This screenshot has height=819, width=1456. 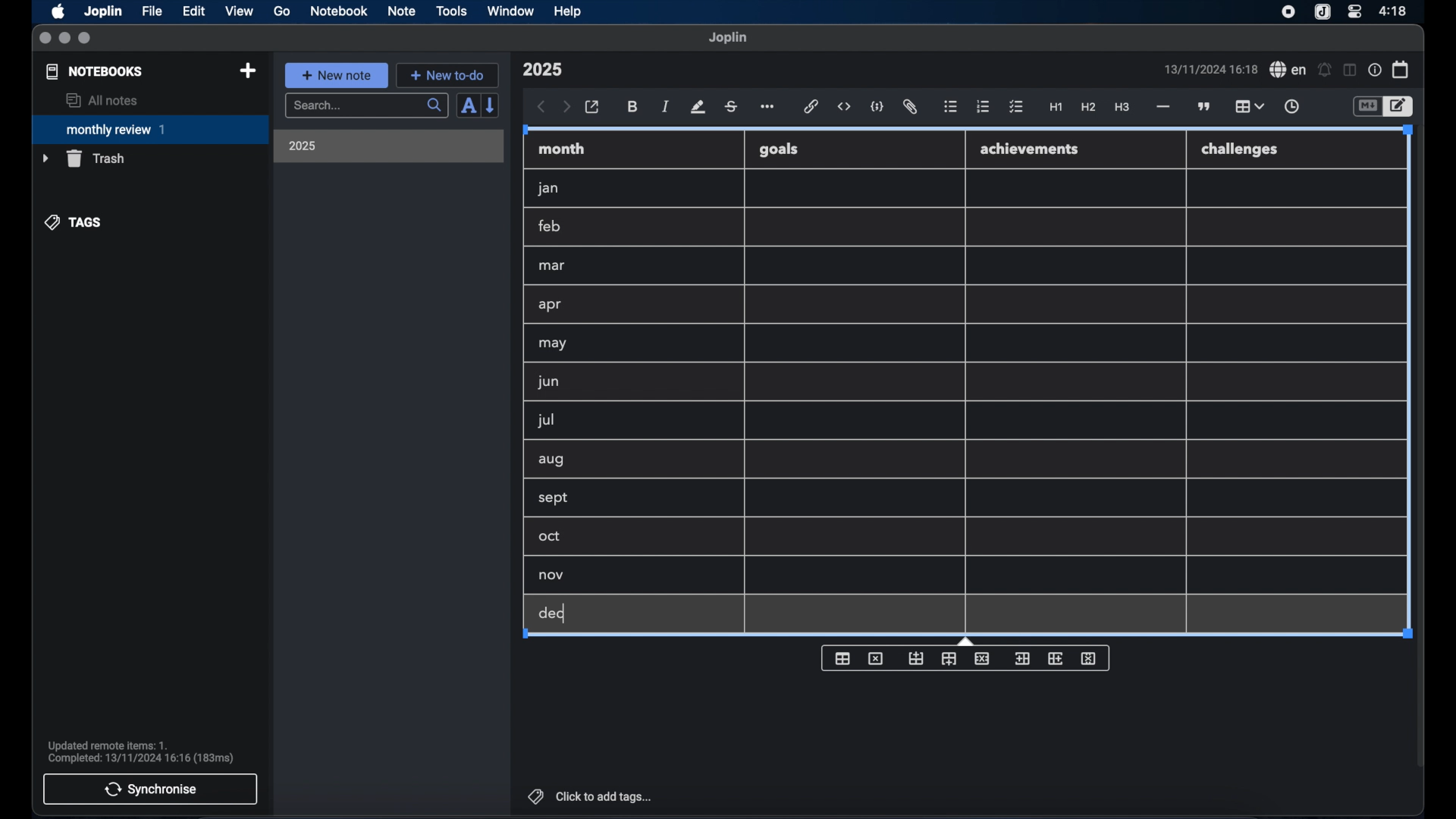 I want to click on set alarm, so click(x=1325, y=71).